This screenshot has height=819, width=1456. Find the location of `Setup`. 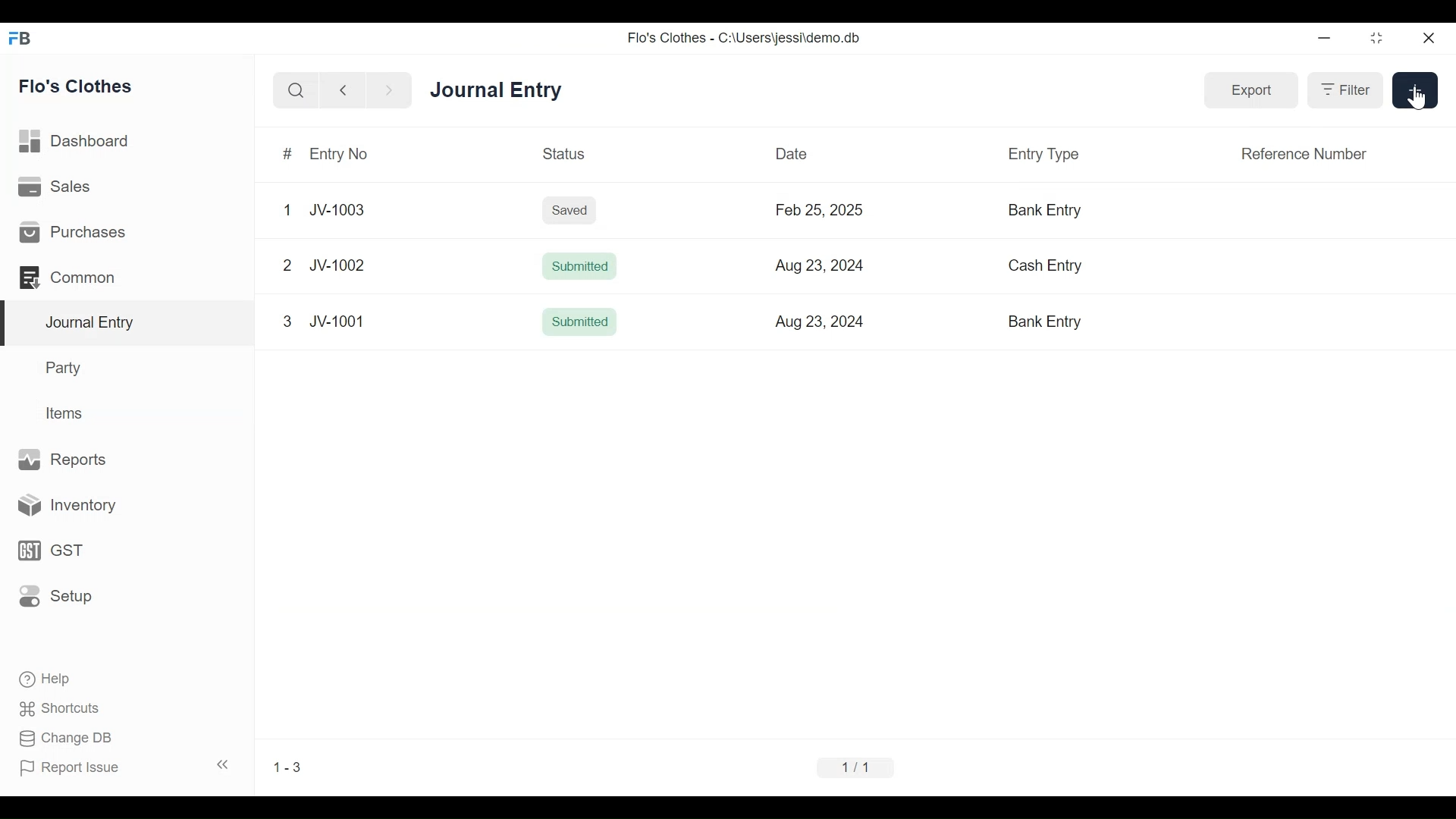

Setup is located at coordinates (55, 595).